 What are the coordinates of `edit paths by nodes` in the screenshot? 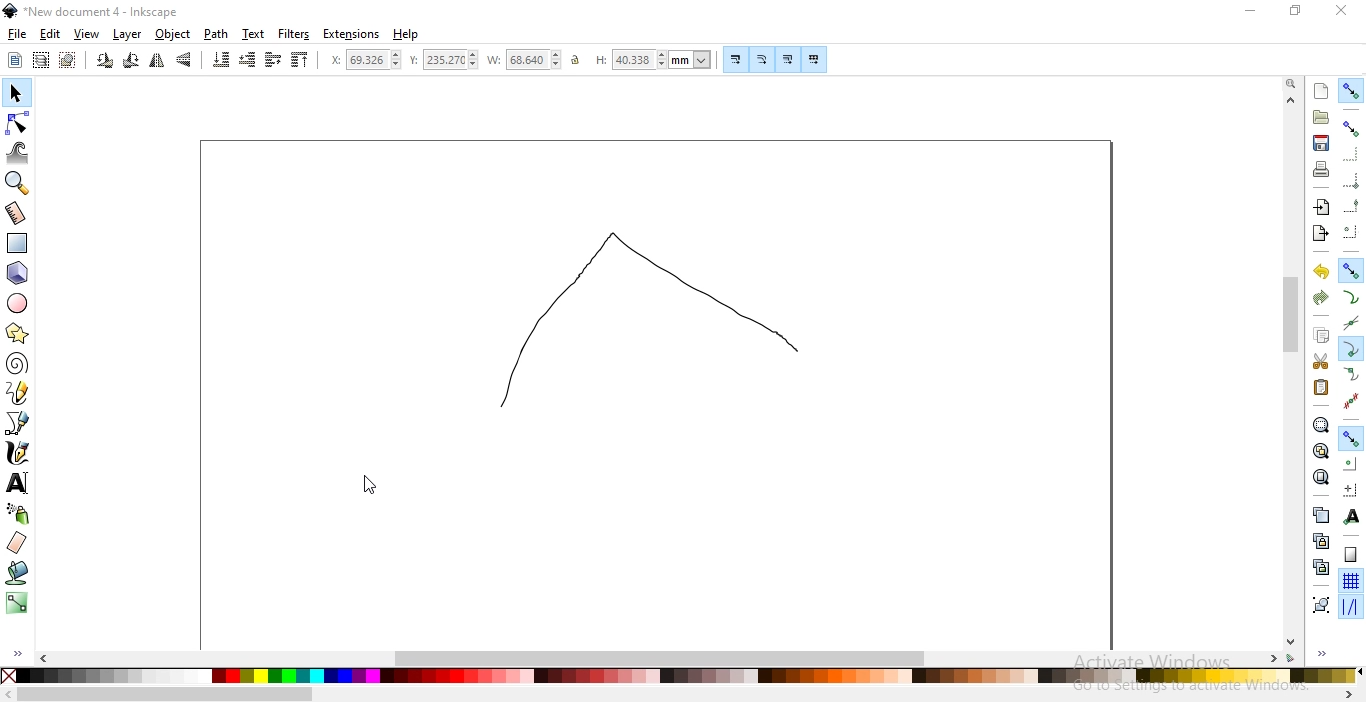 It's located at (16, 124).